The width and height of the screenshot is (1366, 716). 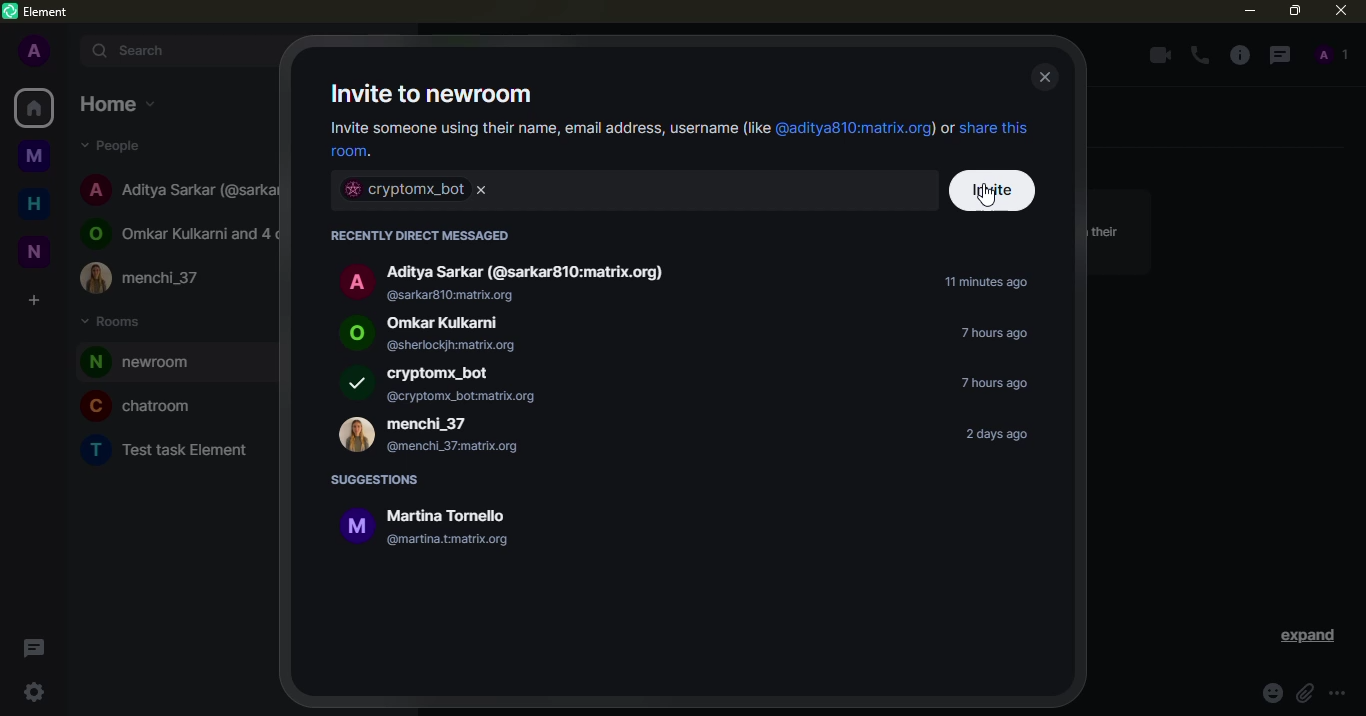 What do you see at coordinates (33, 690) in the screenshot?
I see `quick settings` at bounding box center [33, 690].